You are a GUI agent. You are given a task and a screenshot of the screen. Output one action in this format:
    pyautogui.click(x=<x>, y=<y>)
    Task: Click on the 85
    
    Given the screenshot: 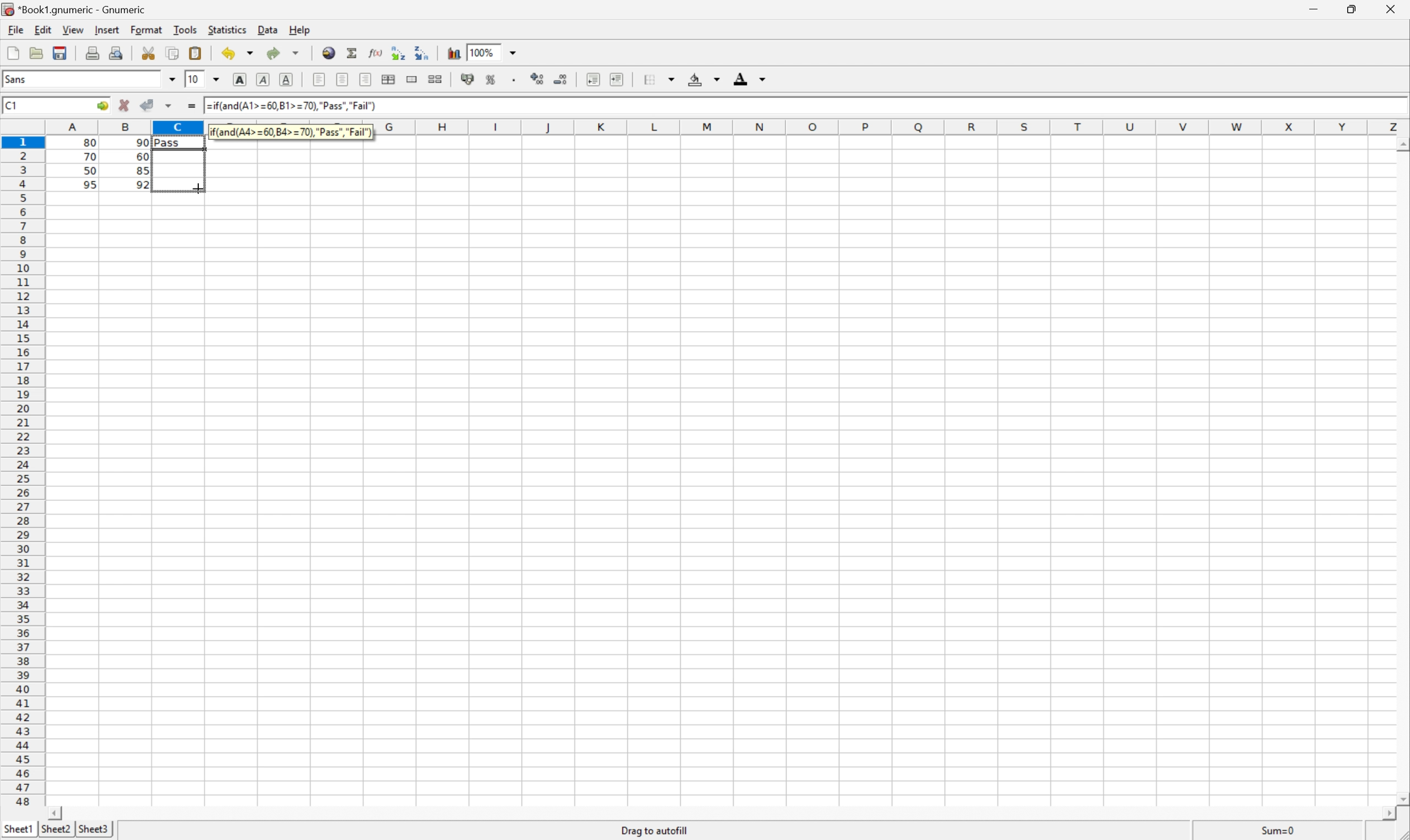 What is the action you would take?
    pyautogui.click(x=142, y=172)
    